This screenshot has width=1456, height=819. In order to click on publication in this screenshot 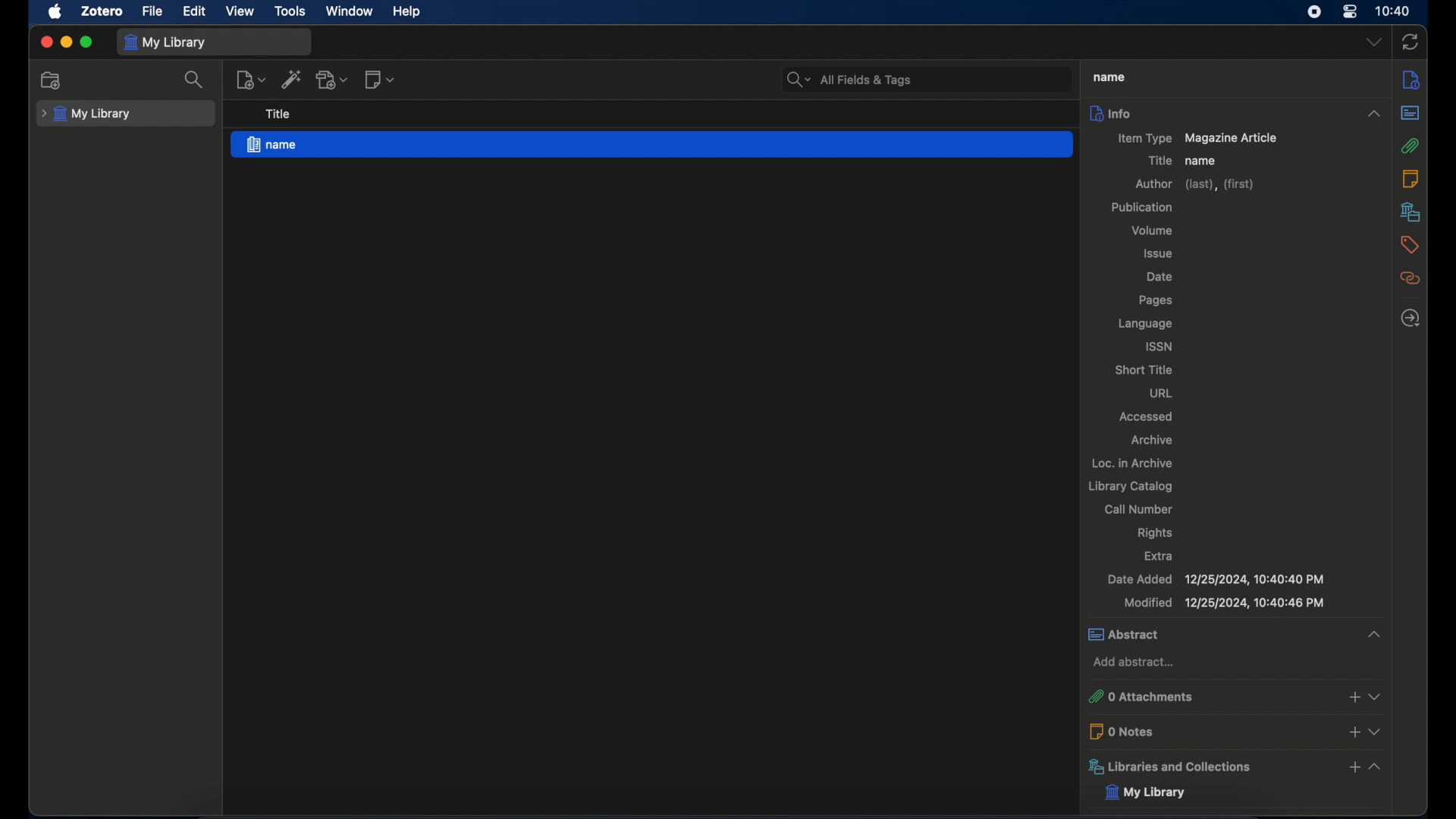, I will do `click(1143, 207)`.